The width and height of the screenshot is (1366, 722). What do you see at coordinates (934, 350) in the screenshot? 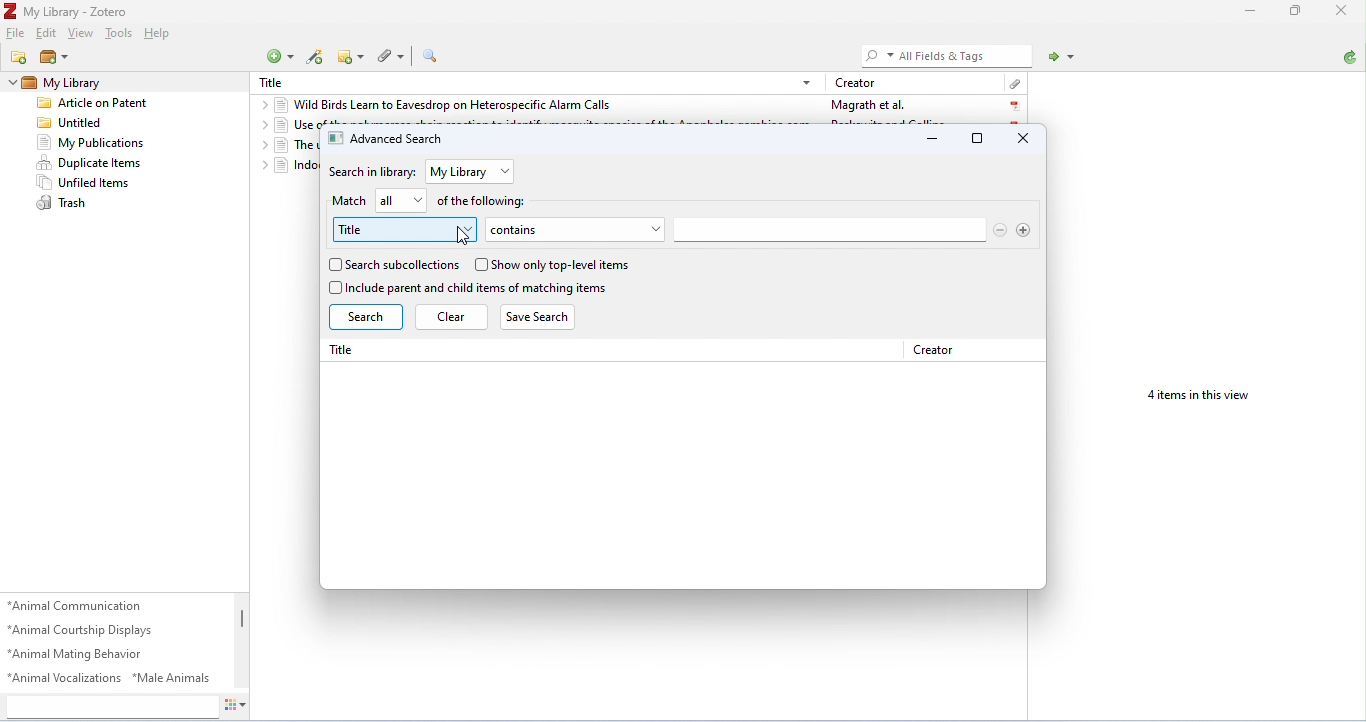
I see `creator` at bounding box center [934, 350].